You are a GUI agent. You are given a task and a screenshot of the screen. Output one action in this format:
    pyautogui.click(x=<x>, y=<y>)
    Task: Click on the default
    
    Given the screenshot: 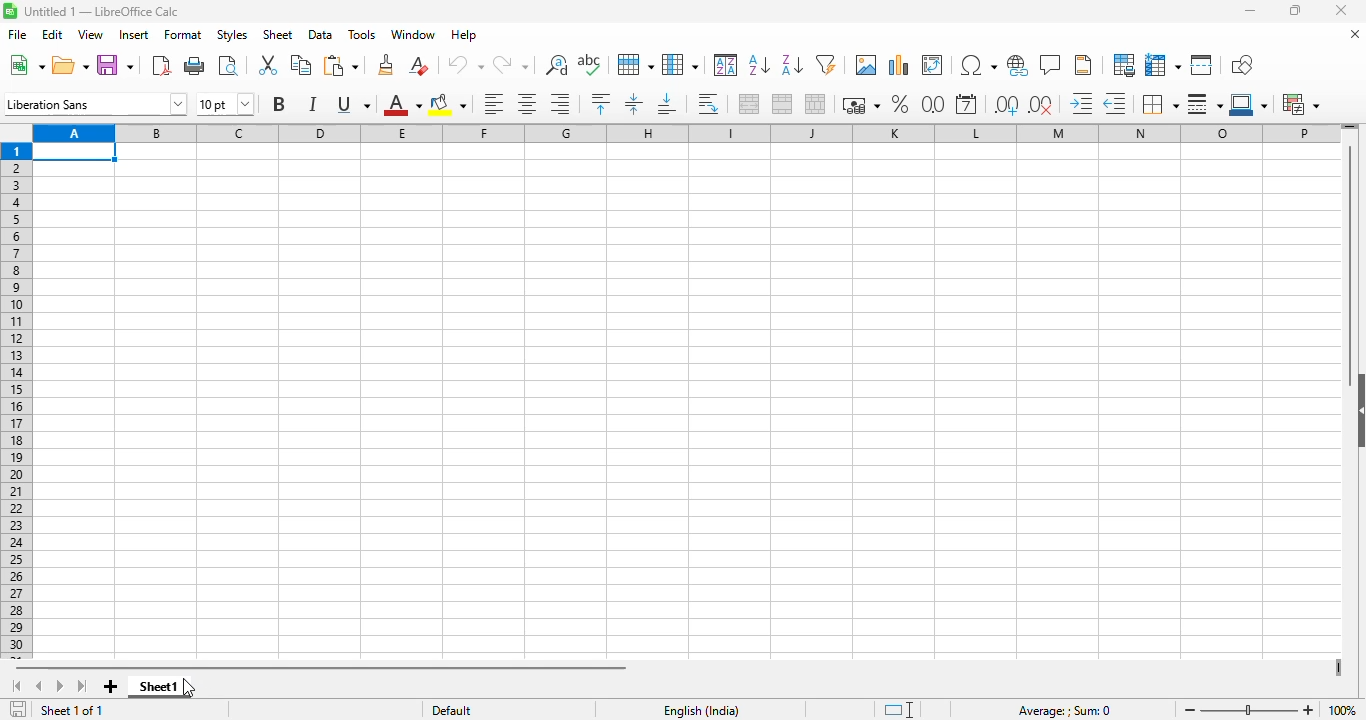 What is the action you would take?
    pyautogui.click(x=452, y=710)
    